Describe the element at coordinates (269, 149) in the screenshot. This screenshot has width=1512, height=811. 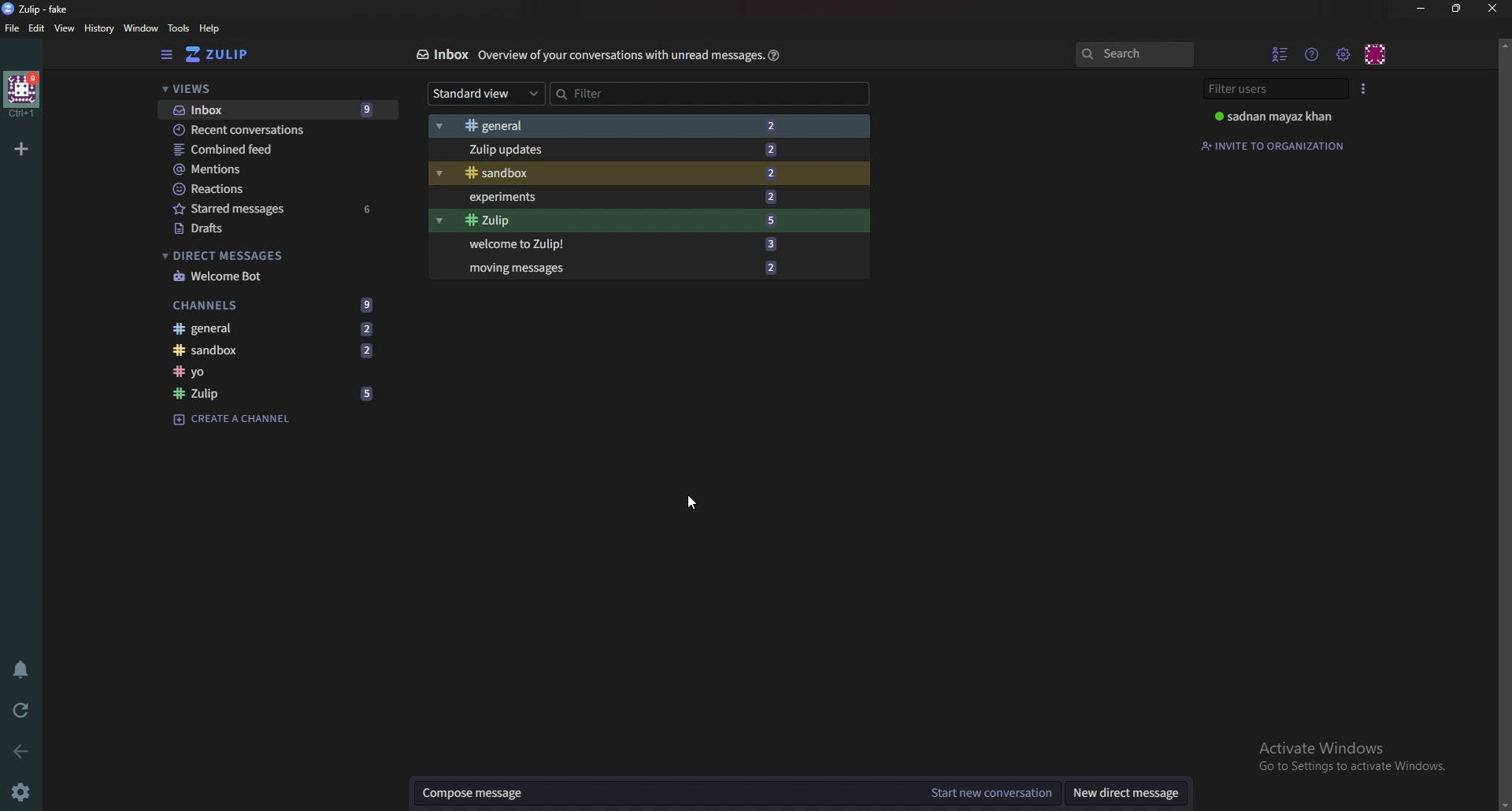
I see `Combined feed` at that location.